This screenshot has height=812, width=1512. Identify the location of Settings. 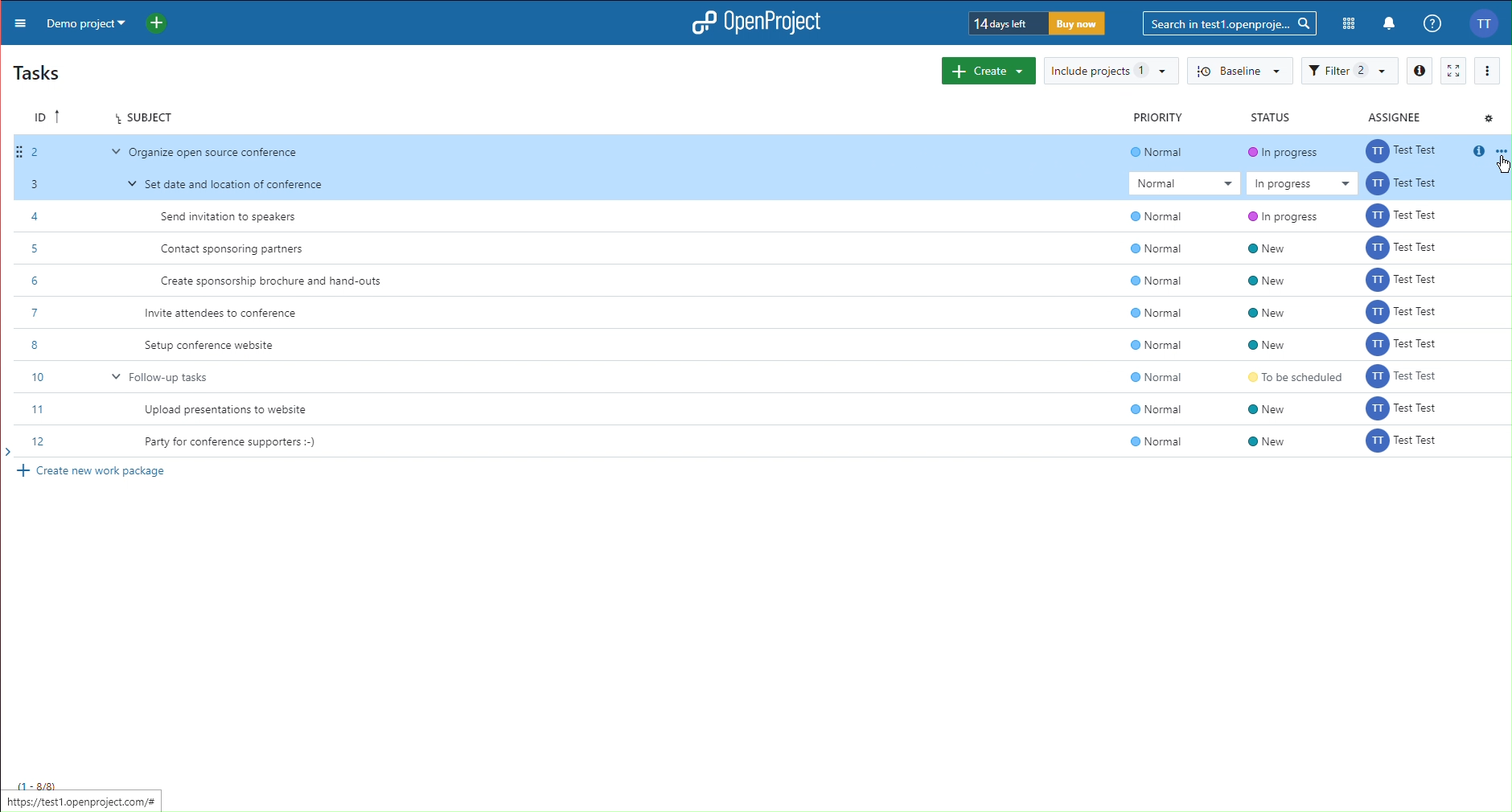
(1488, 116).